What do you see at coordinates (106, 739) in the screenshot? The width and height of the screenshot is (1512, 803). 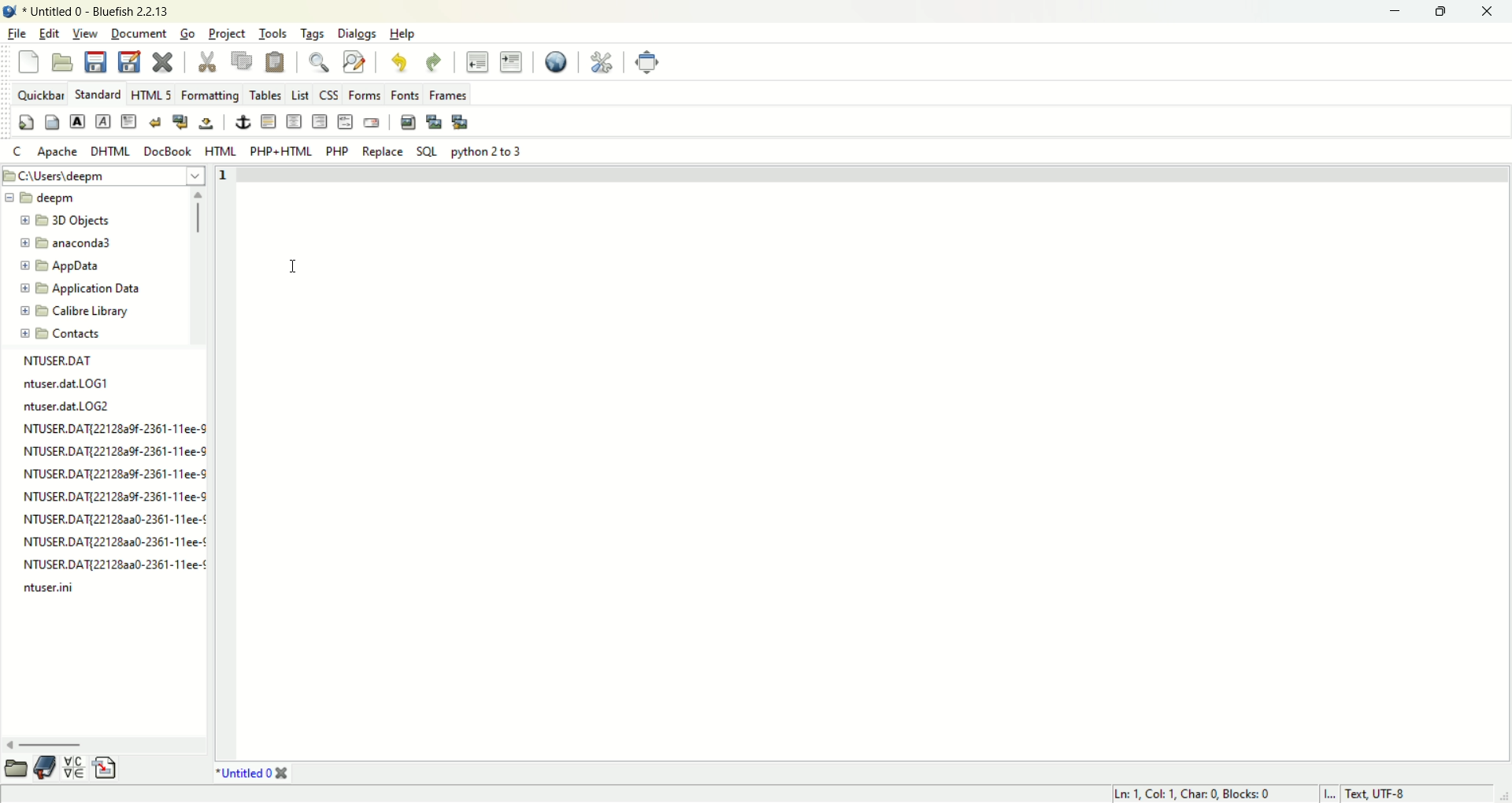 I see `scroll bar` at bounding box center [106, 739].